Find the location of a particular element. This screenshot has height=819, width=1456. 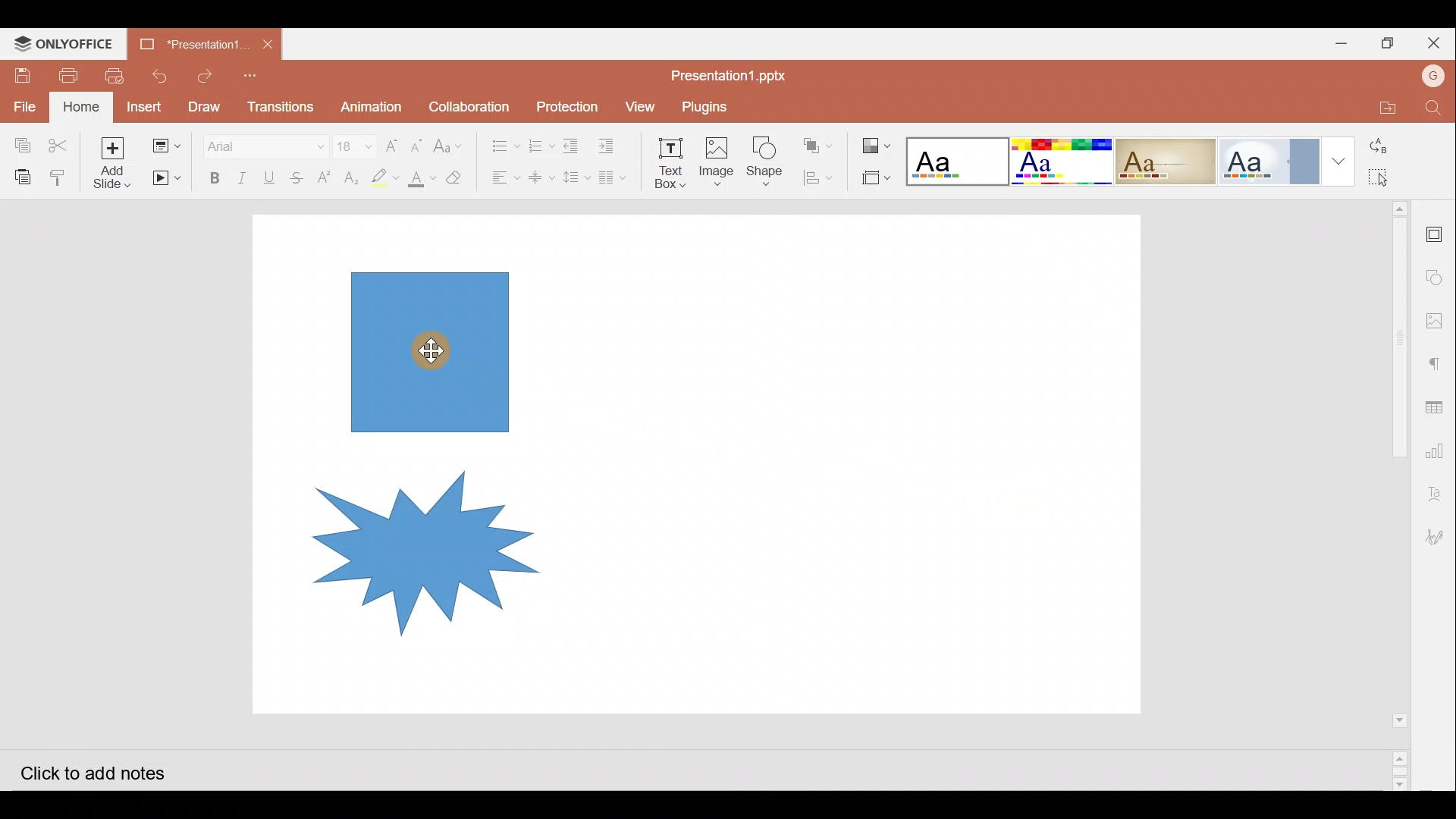

Change case is located at coordinates (450, 143).